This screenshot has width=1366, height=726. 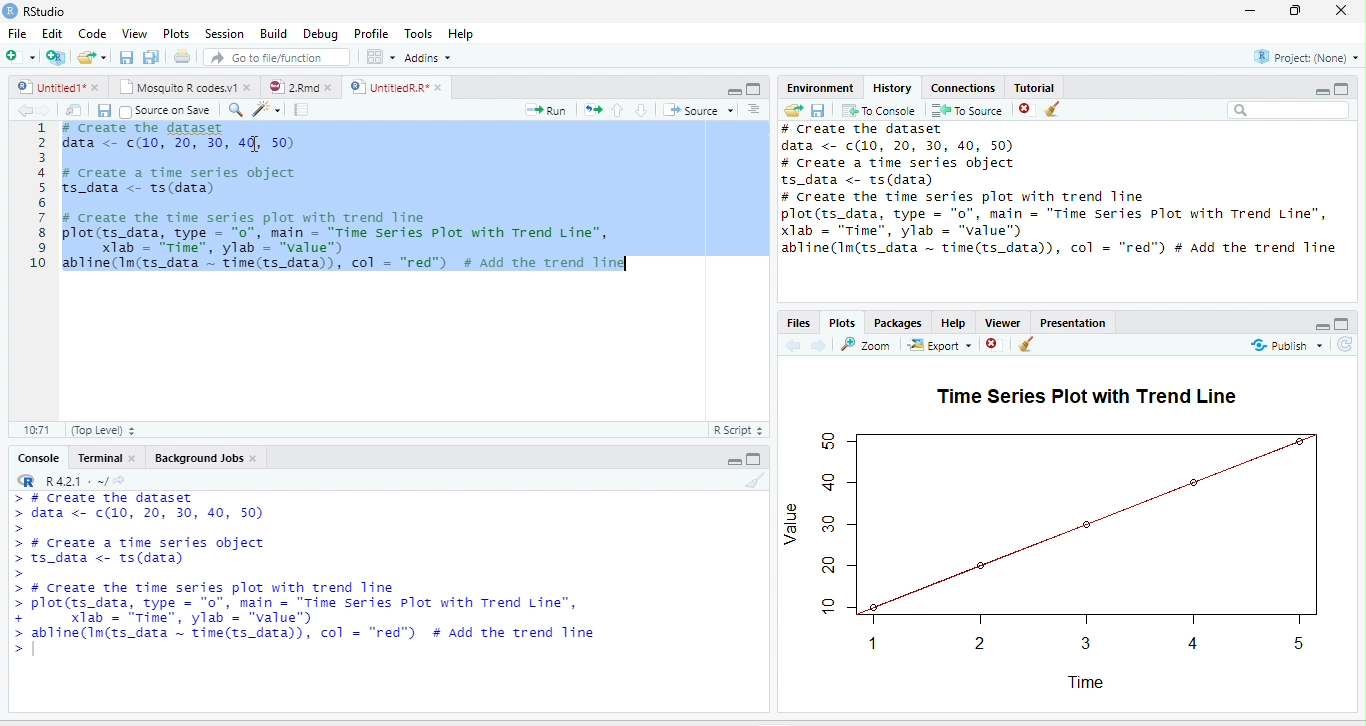 I want to click on Help, so click(x=460, y=33).